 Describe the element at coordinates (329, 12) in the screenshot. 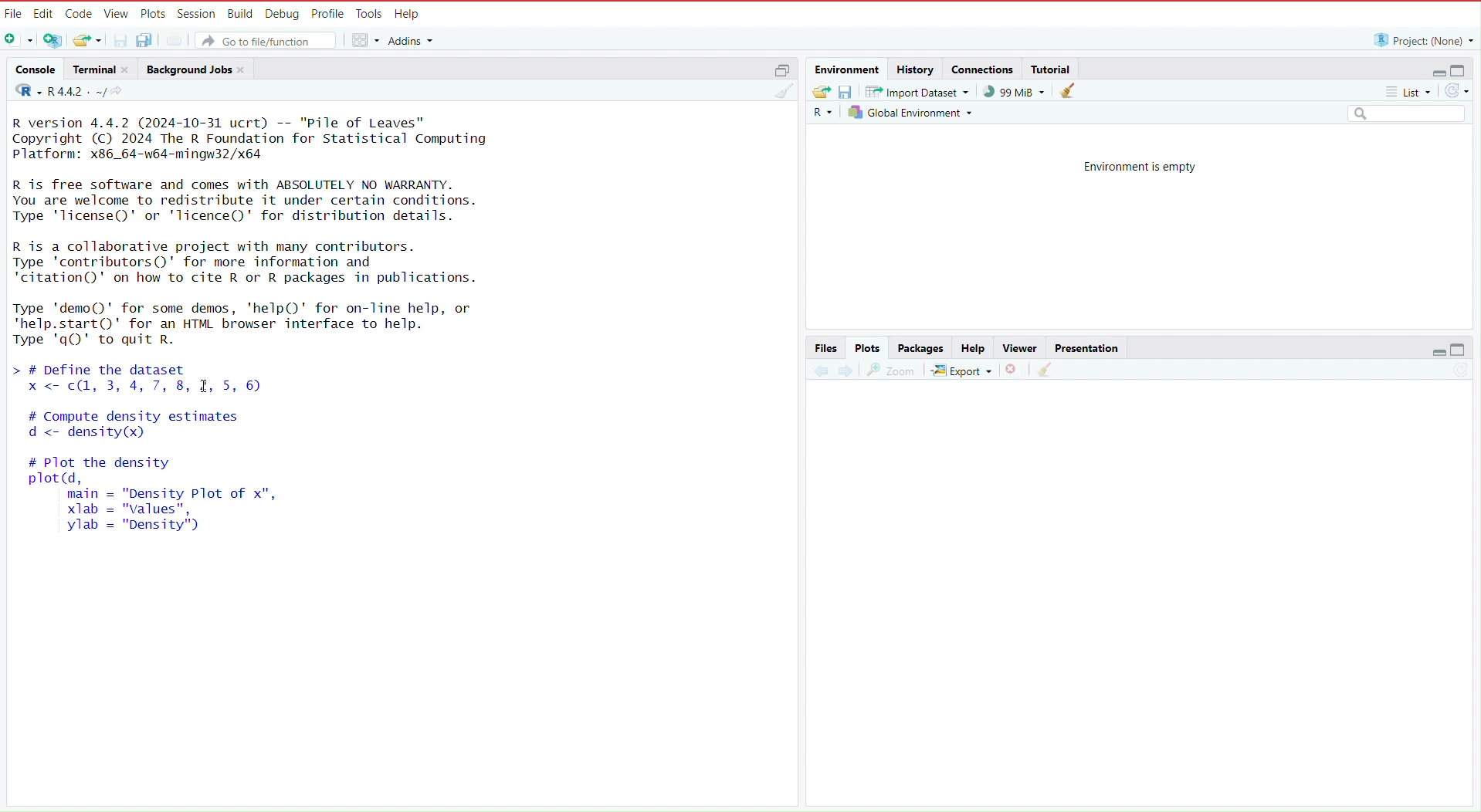

I see `profile` at that location.